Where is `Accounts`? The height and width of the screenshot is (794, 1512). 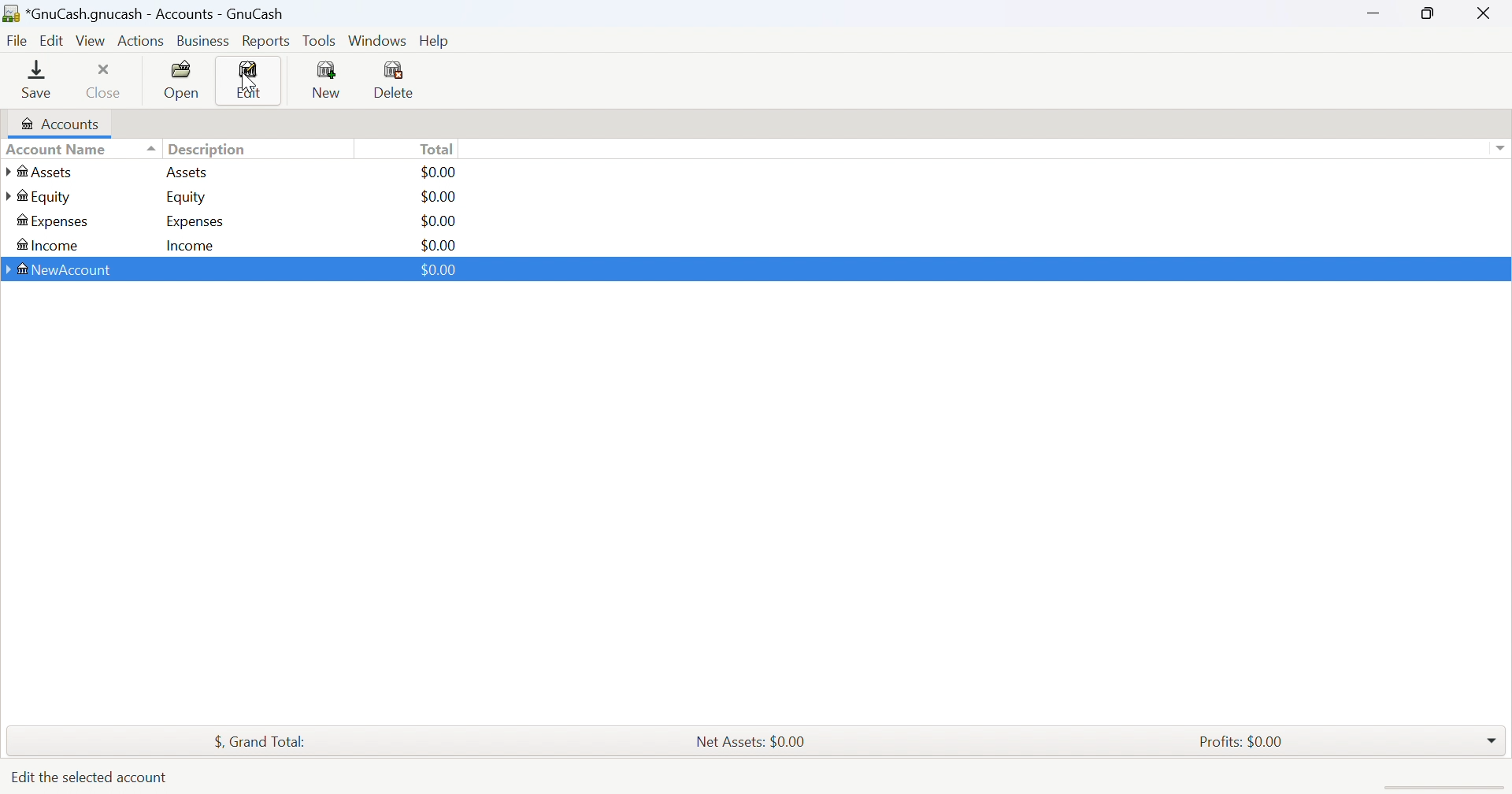 Accounts is located at coordinates (57, 124).